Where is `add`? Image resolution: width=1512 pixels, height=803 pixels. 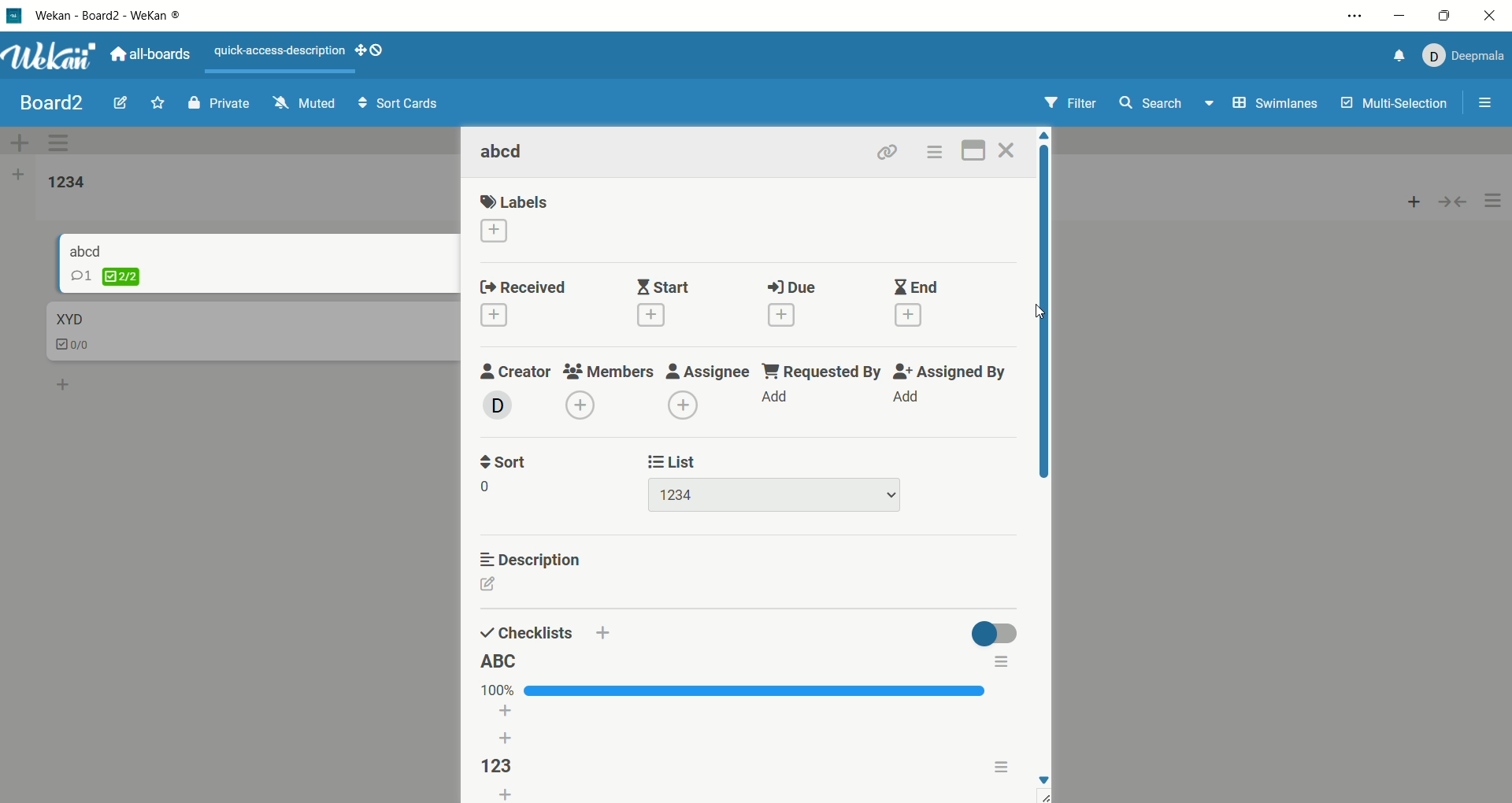 add is located at coordinates (509, 727).